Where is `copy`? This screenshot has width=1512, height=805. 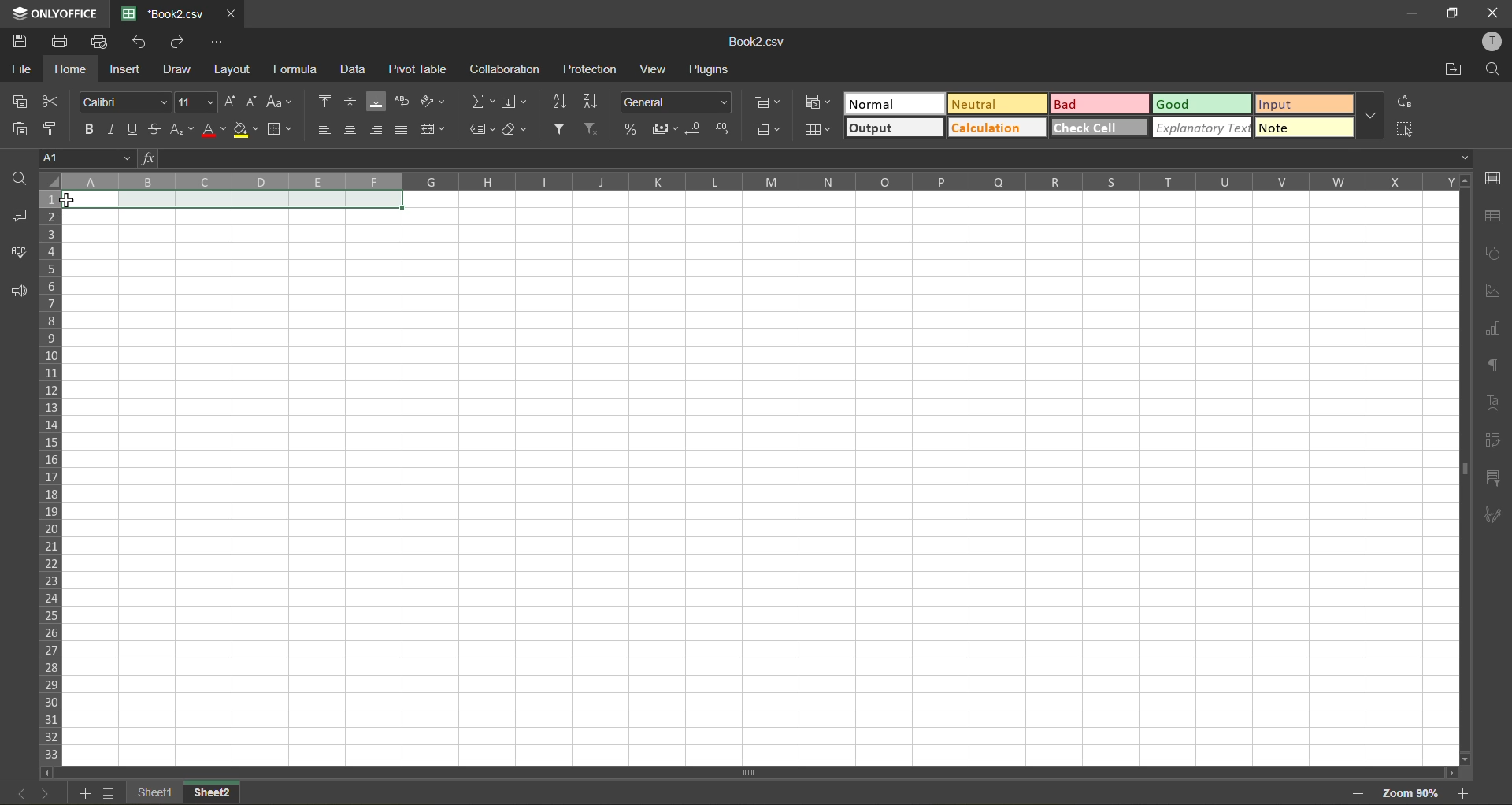 copy is located at coordinates (20, 101).